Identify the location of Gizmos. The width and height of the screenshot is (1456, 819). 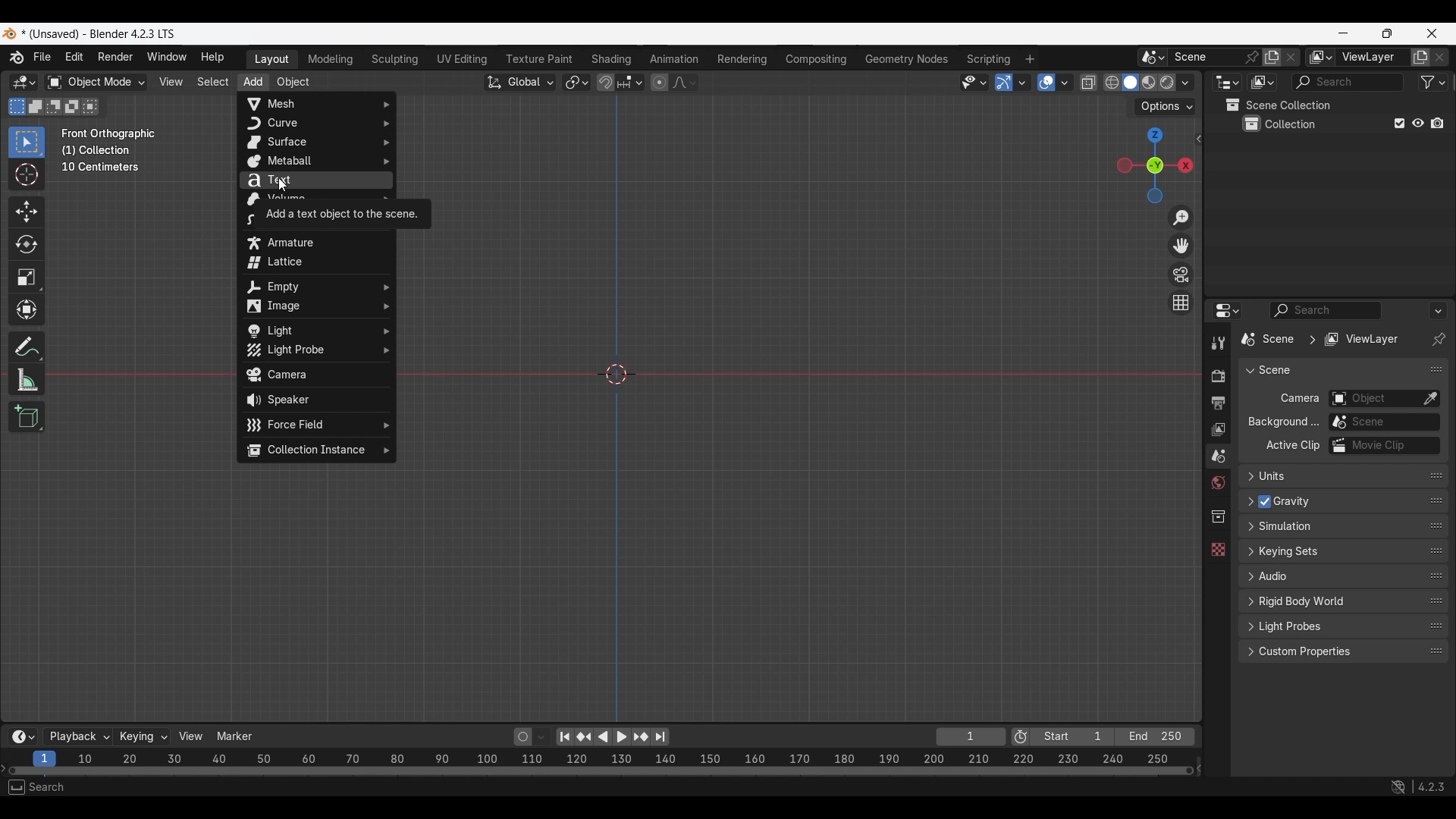
(1022, 82).